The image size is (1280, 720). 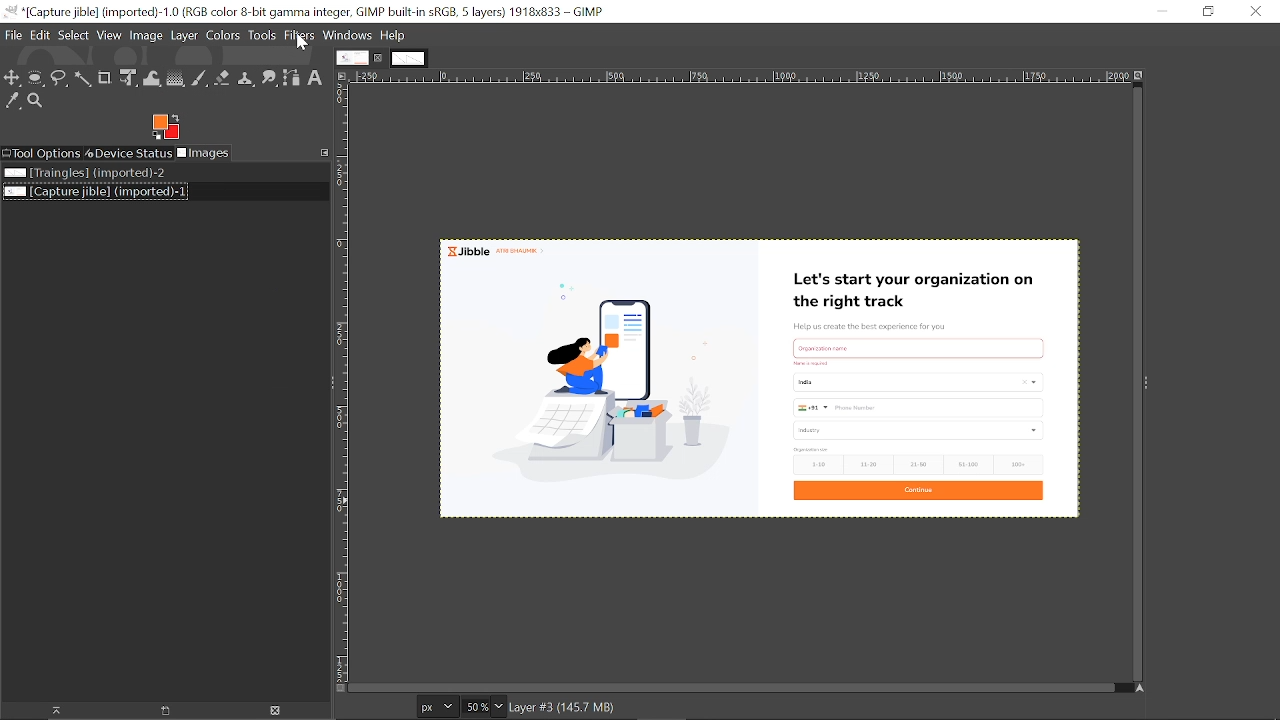 I want to click on View, so click(x=110, y=36).